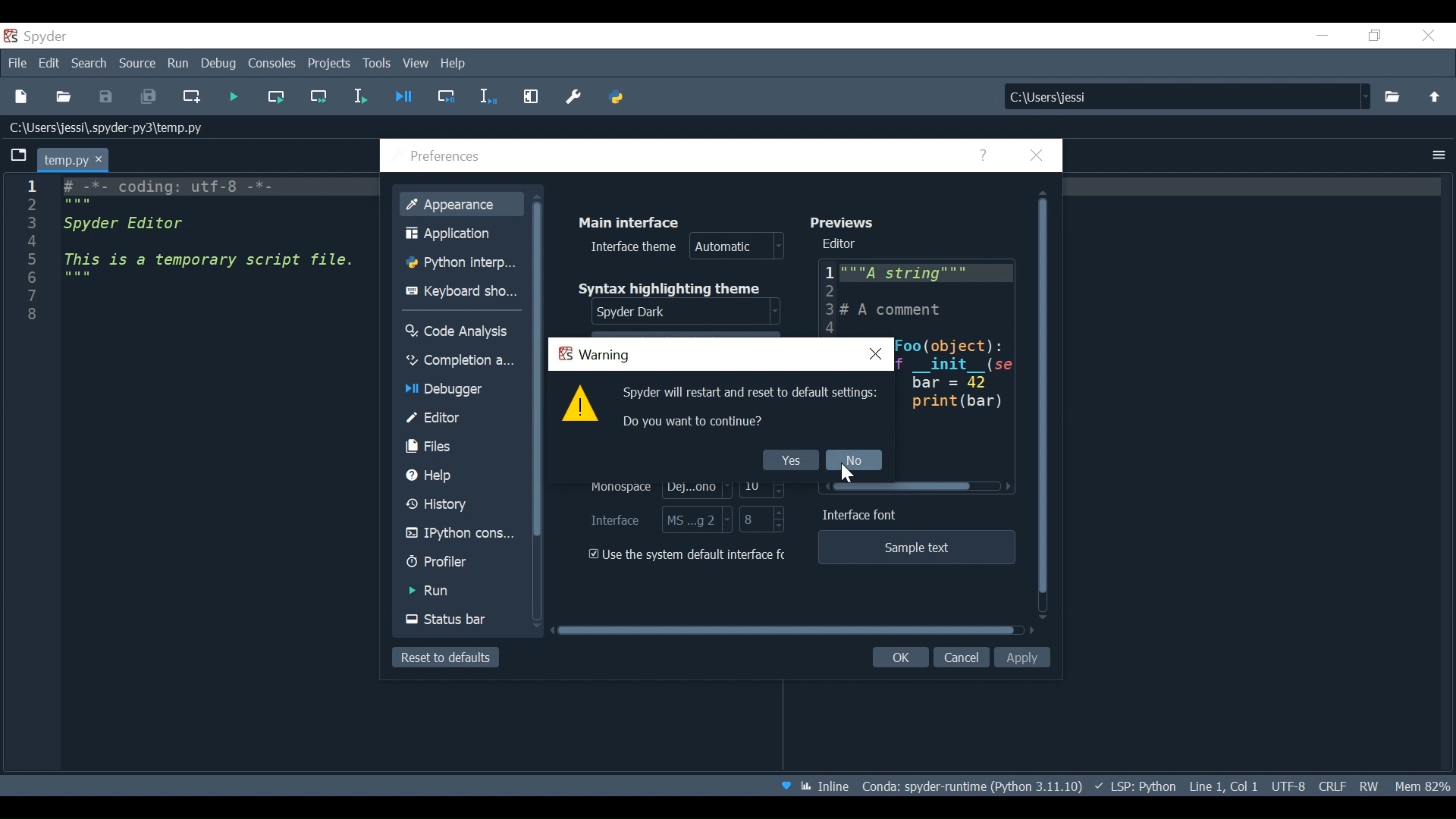 The height and width of the screenshot is (819, 1456). Describe the element at coordinates (20, 156) in the screenshot. I see `Browse Tabs` at that location.